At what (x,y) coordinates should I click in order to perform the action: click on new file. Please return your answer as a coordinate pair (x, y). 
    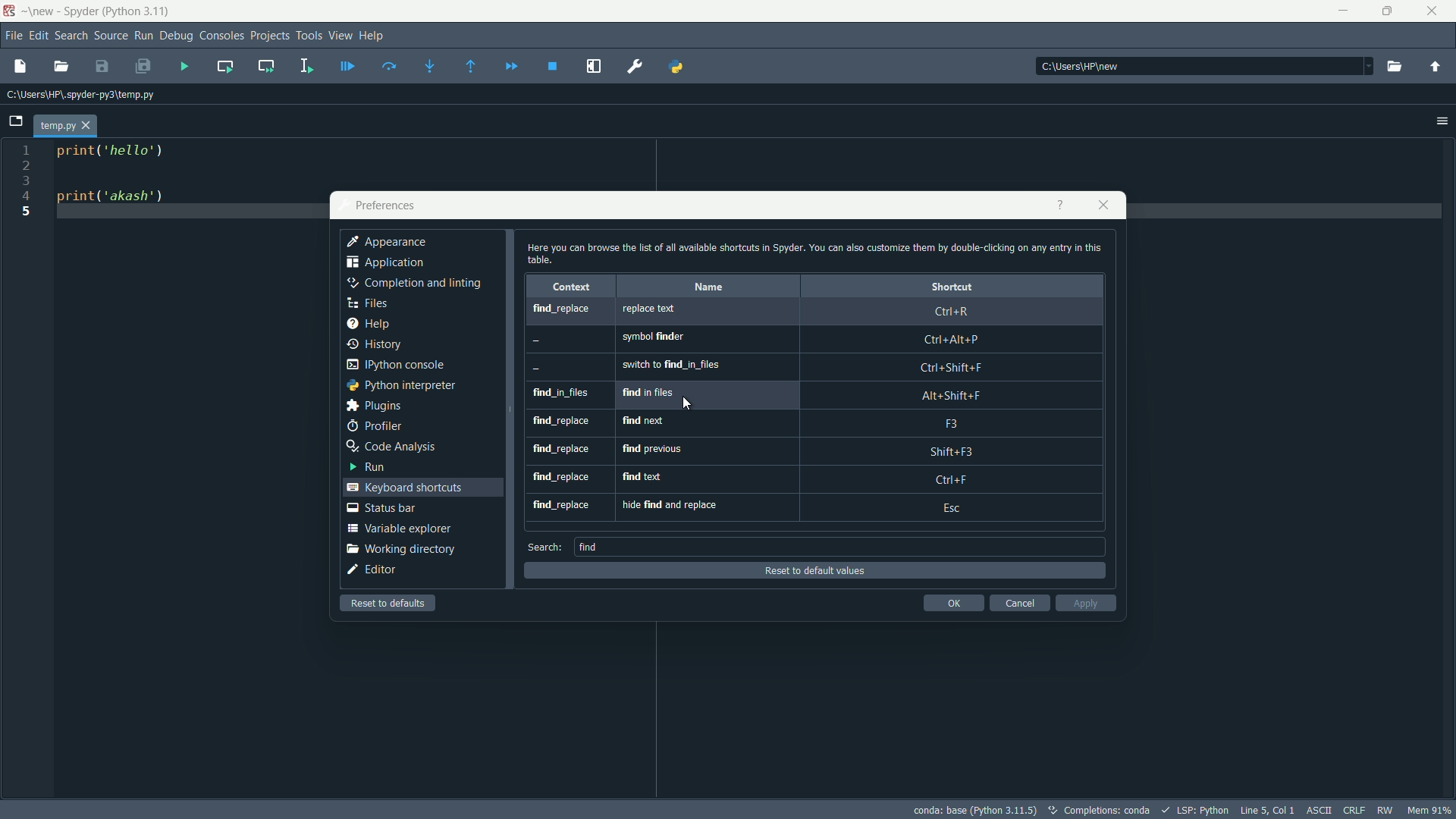
    Looking at the image, I should click on (21, 68).